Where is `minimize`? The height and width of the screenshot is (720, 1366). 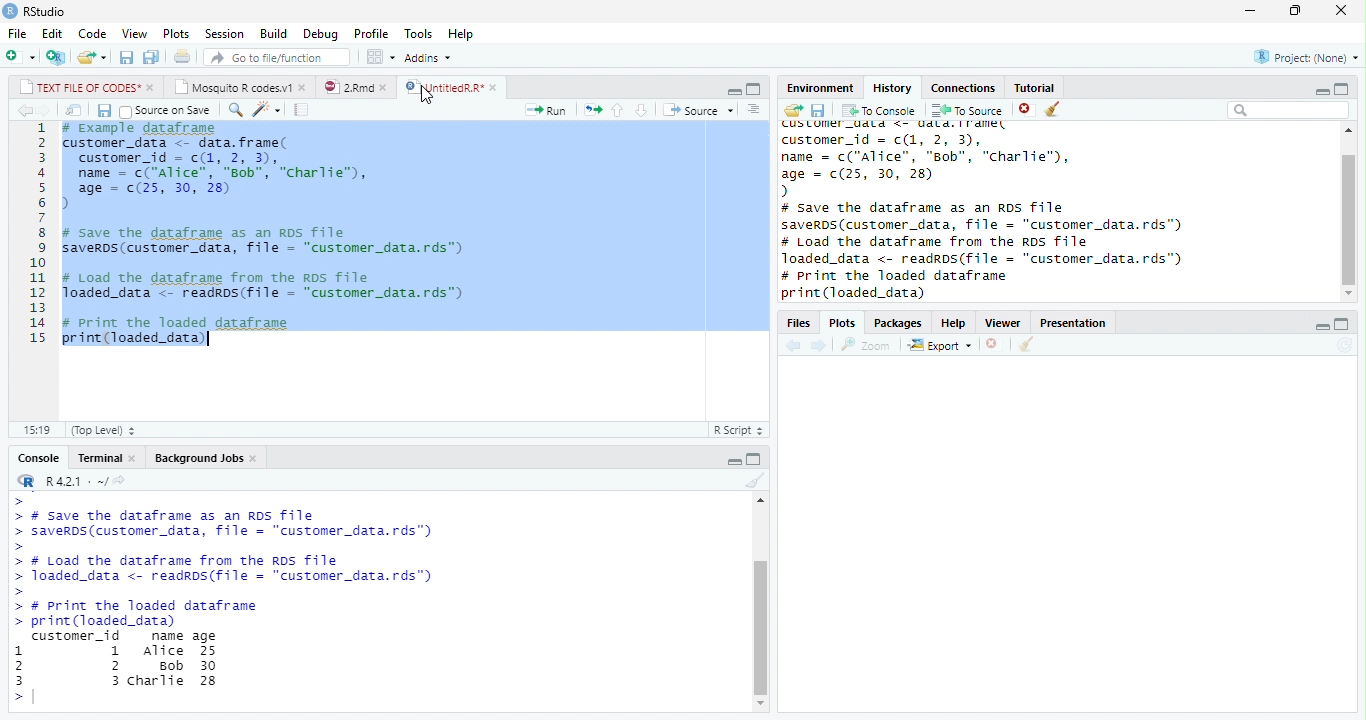
minimize is located at coordinates (1321, 91).